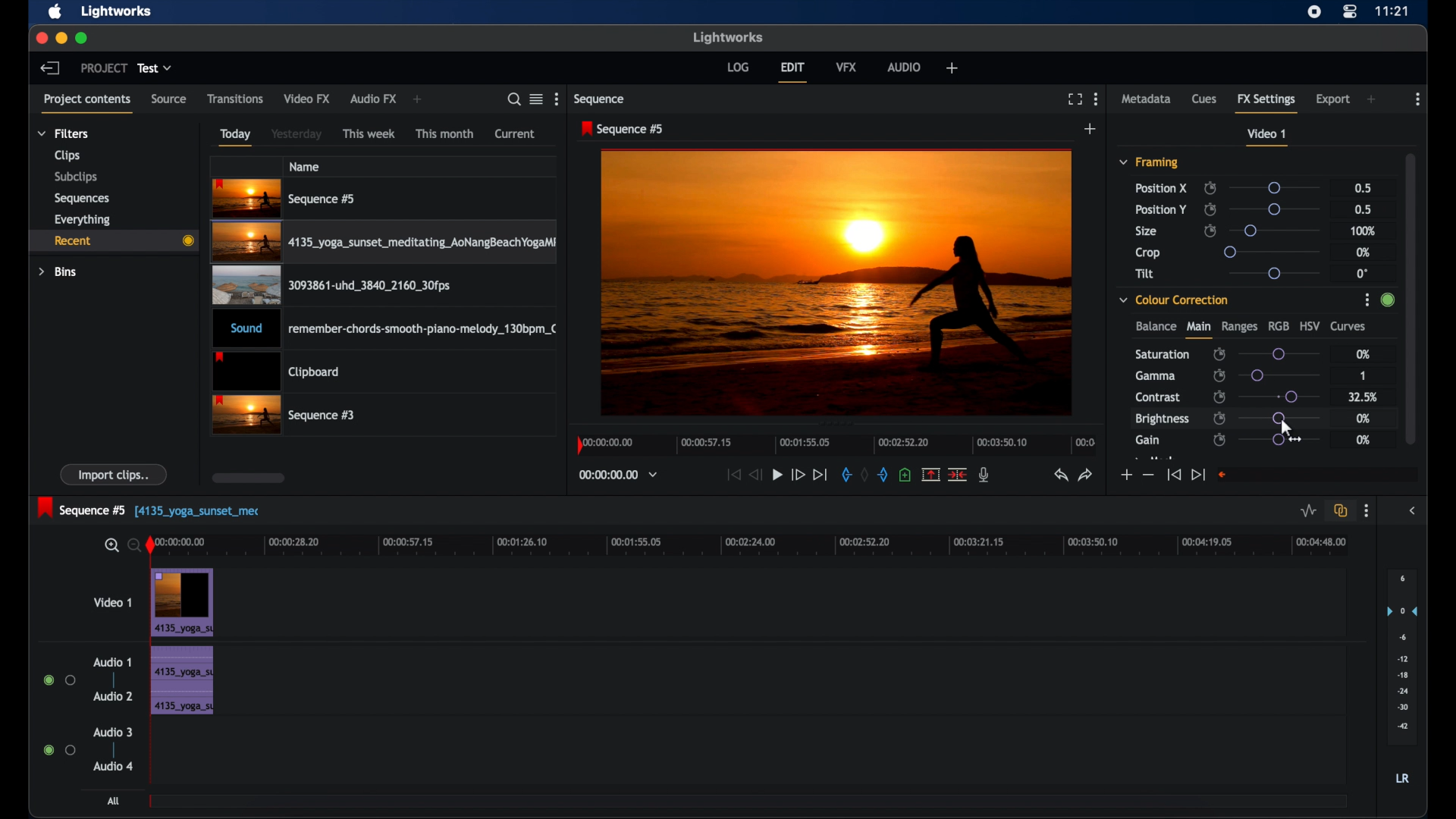  Describe the element at coordinates (1392, 11) in the screenshot. I see `time` at that location.